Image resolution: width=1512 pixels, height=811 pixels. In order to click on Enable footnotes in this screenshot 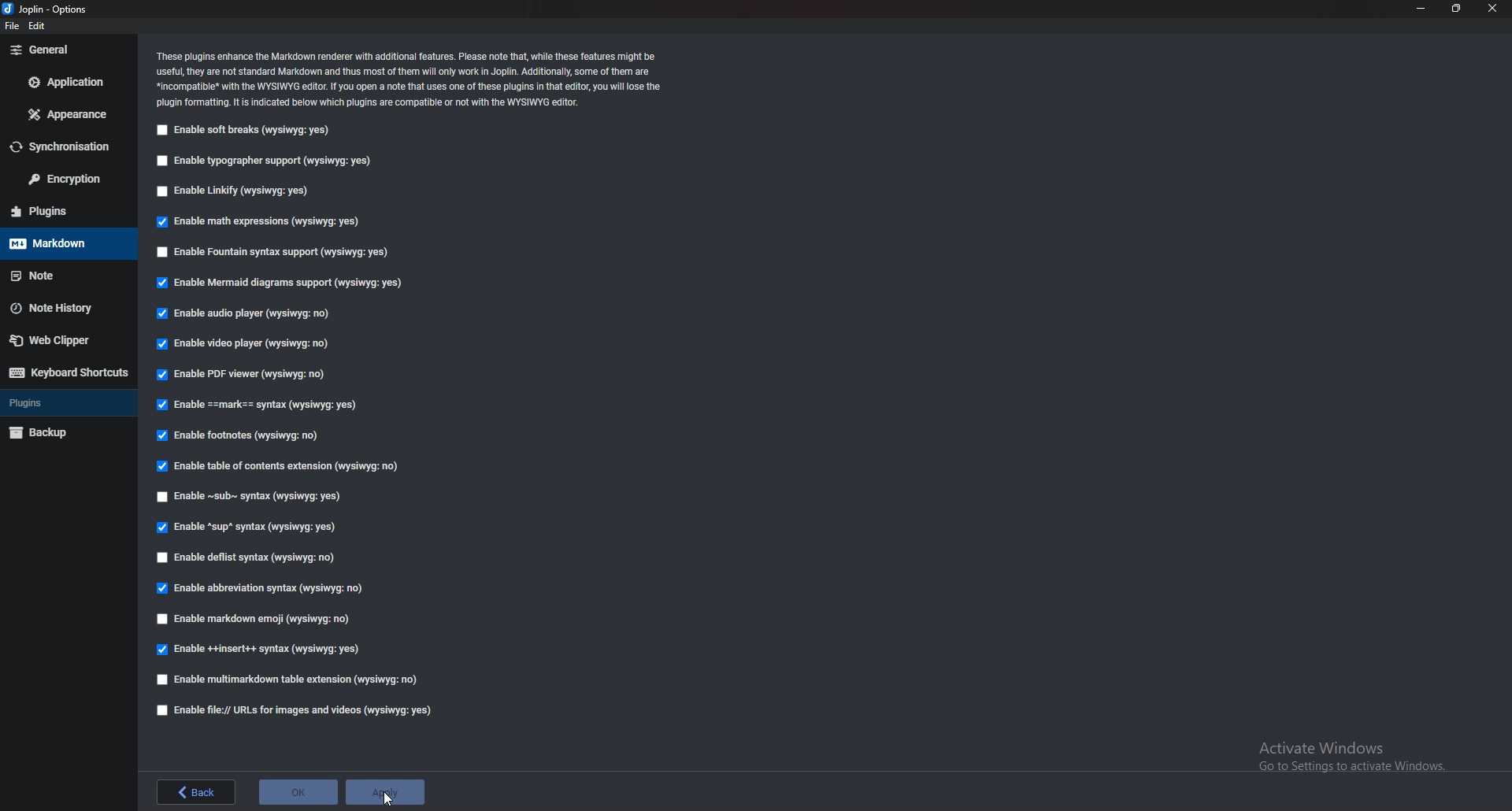, I will do `click(239, 436)`.